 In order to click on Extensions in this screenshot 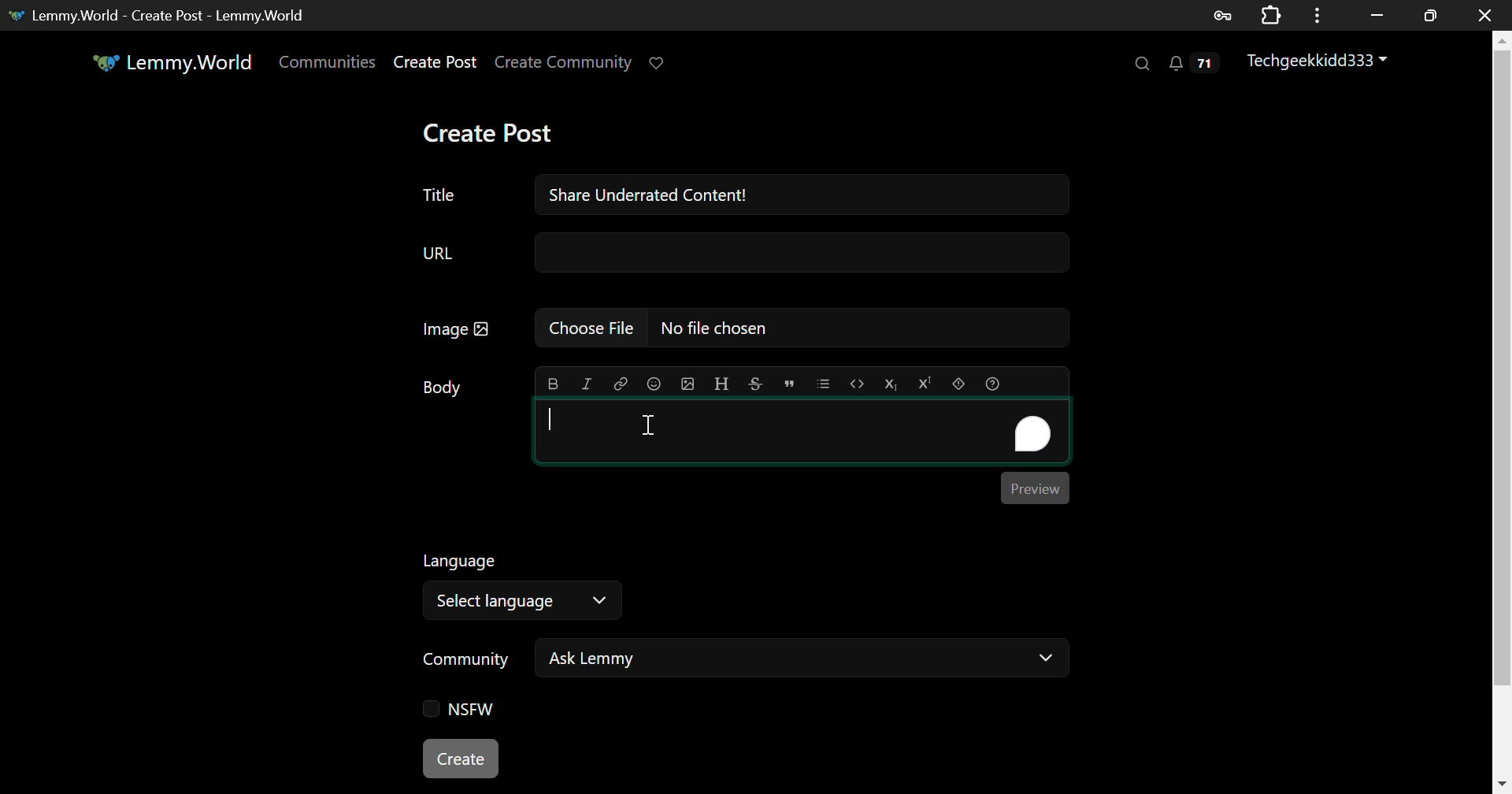, I will do `click(1271, 13)`.